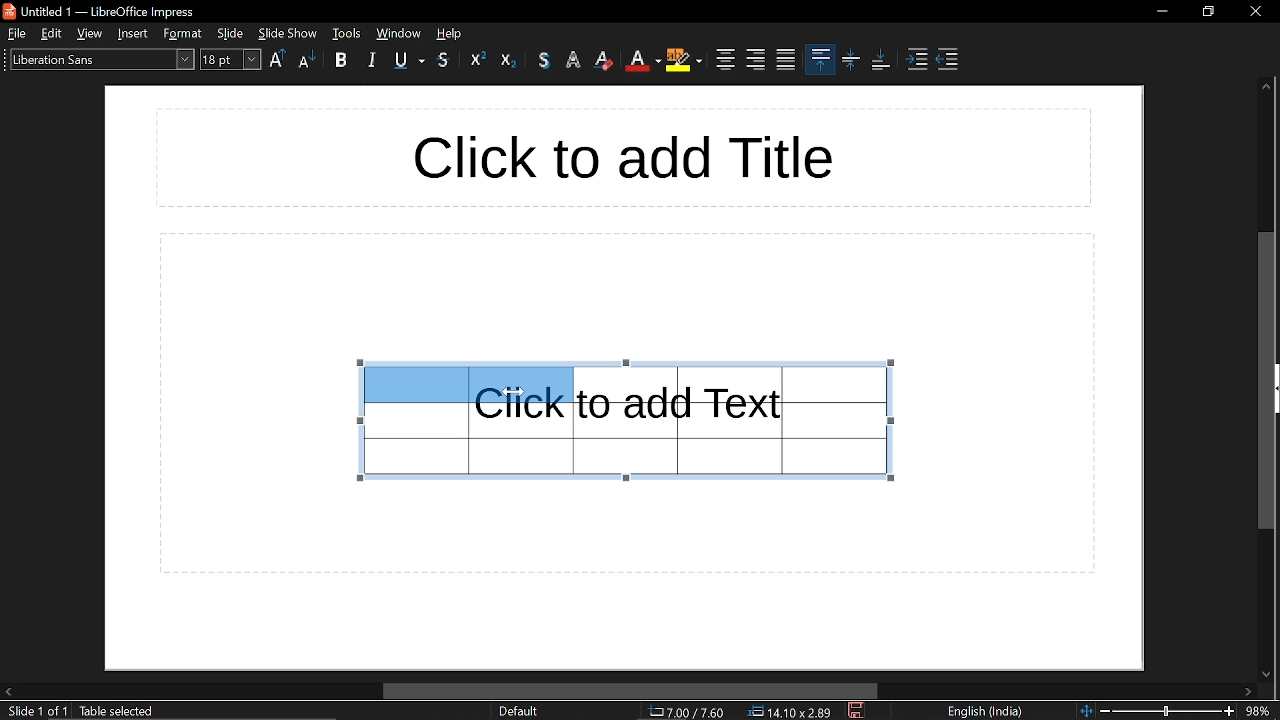  What do you see at coordinates (631, 691) in the screenshot?
I see `horizontal scrollbar` at bounding box center [631, 691].